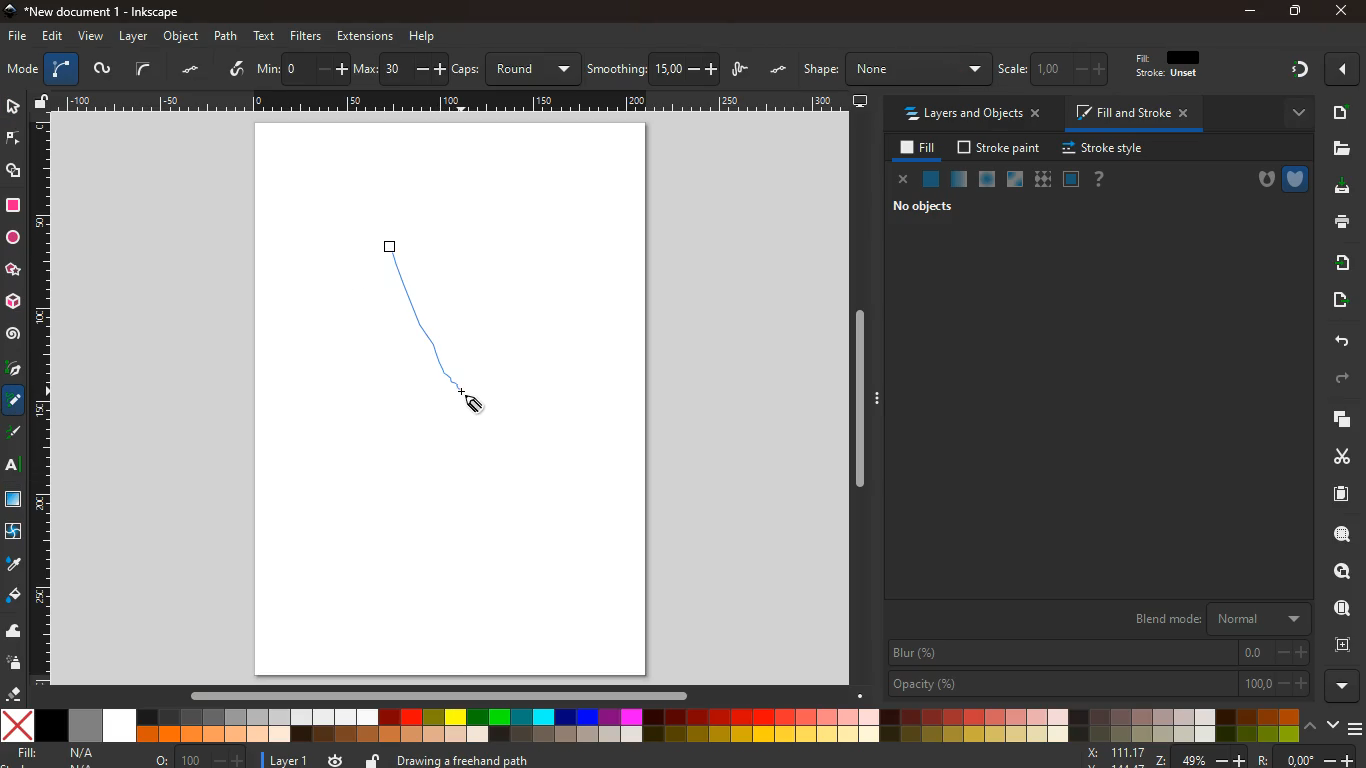 The height and width of the screenshot is (768, 1366). What do you see at coordinates (90, 12) in the screenshot?
I see `*New document 1 - Inkscape` at bounding box center [90, 12].